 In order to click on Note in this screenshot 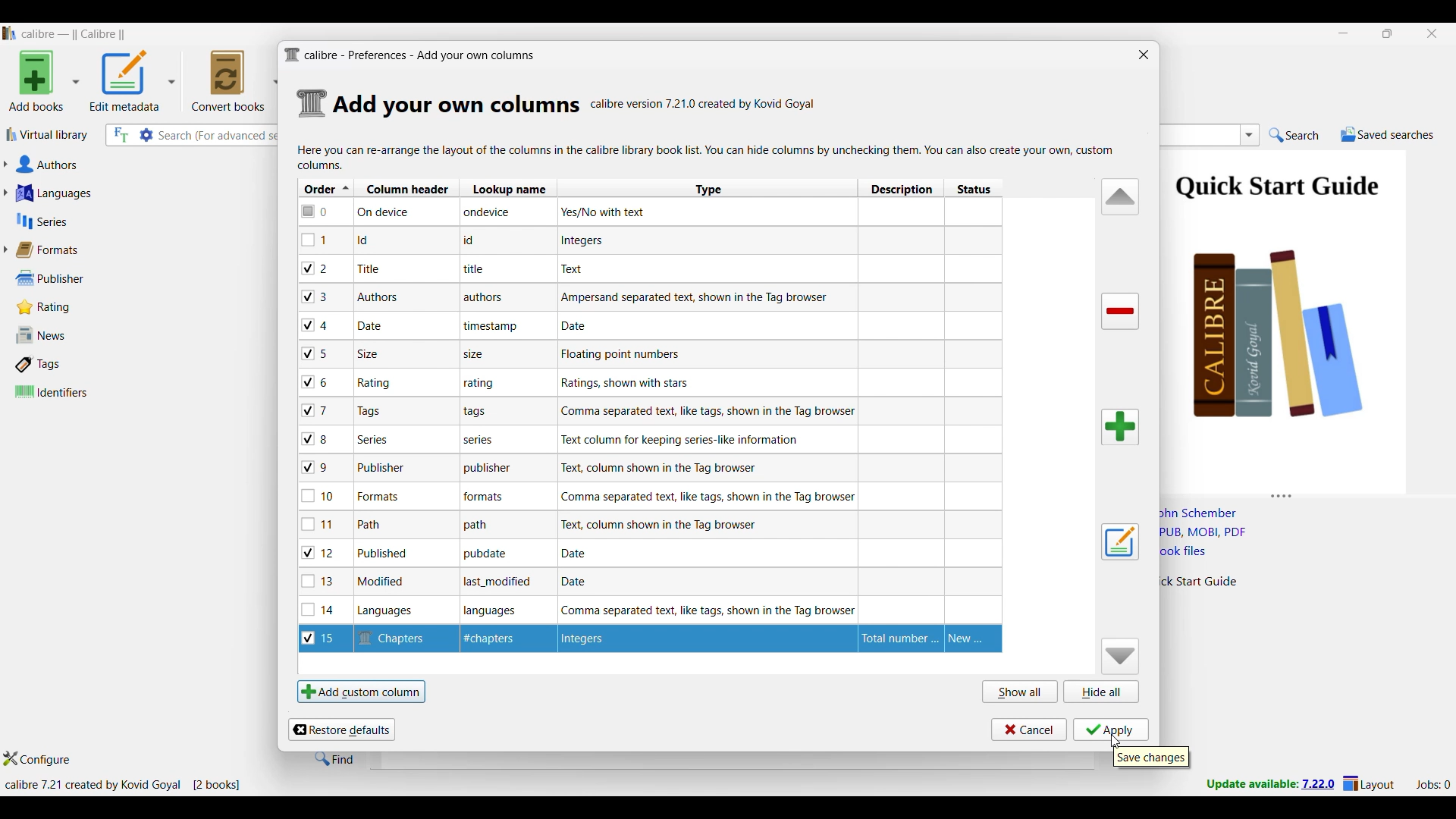, I will do `click(375, 383)`.